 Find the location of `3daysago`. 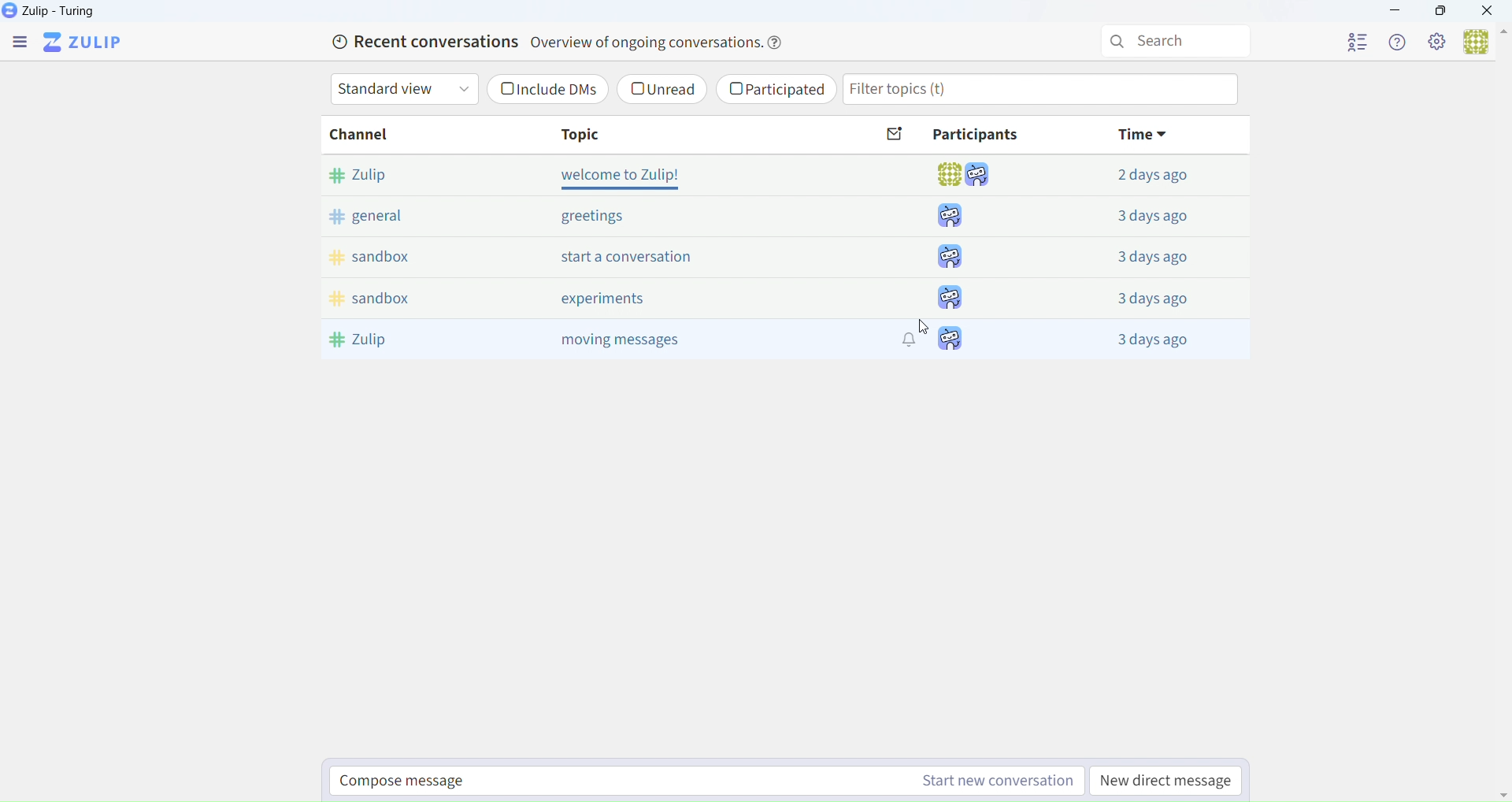

3daysago is located at coordinates (1155, 261).